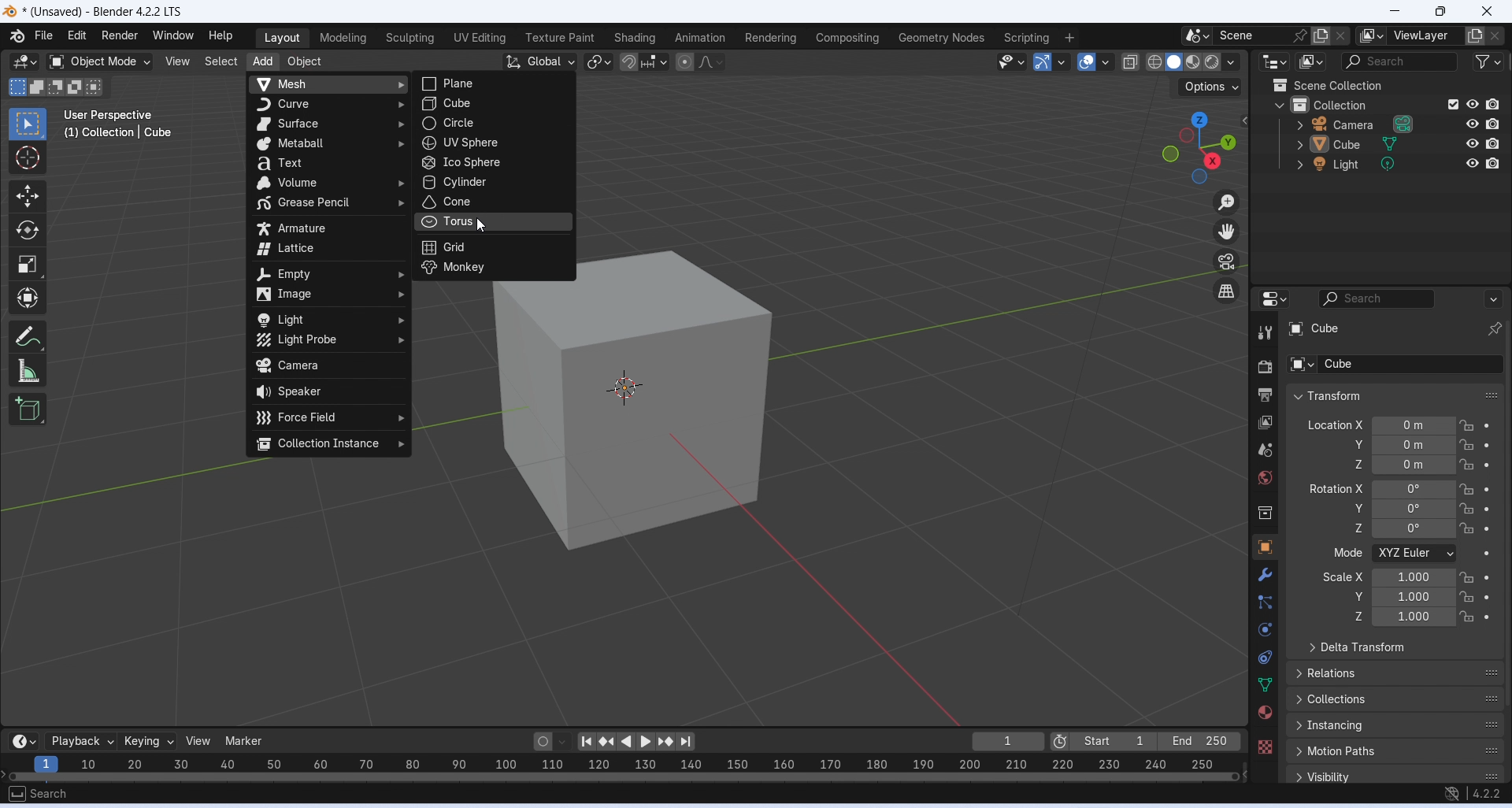 This screenshot has height=808, width=1512. I want to click on Show gizmo, so click(1050, 63).